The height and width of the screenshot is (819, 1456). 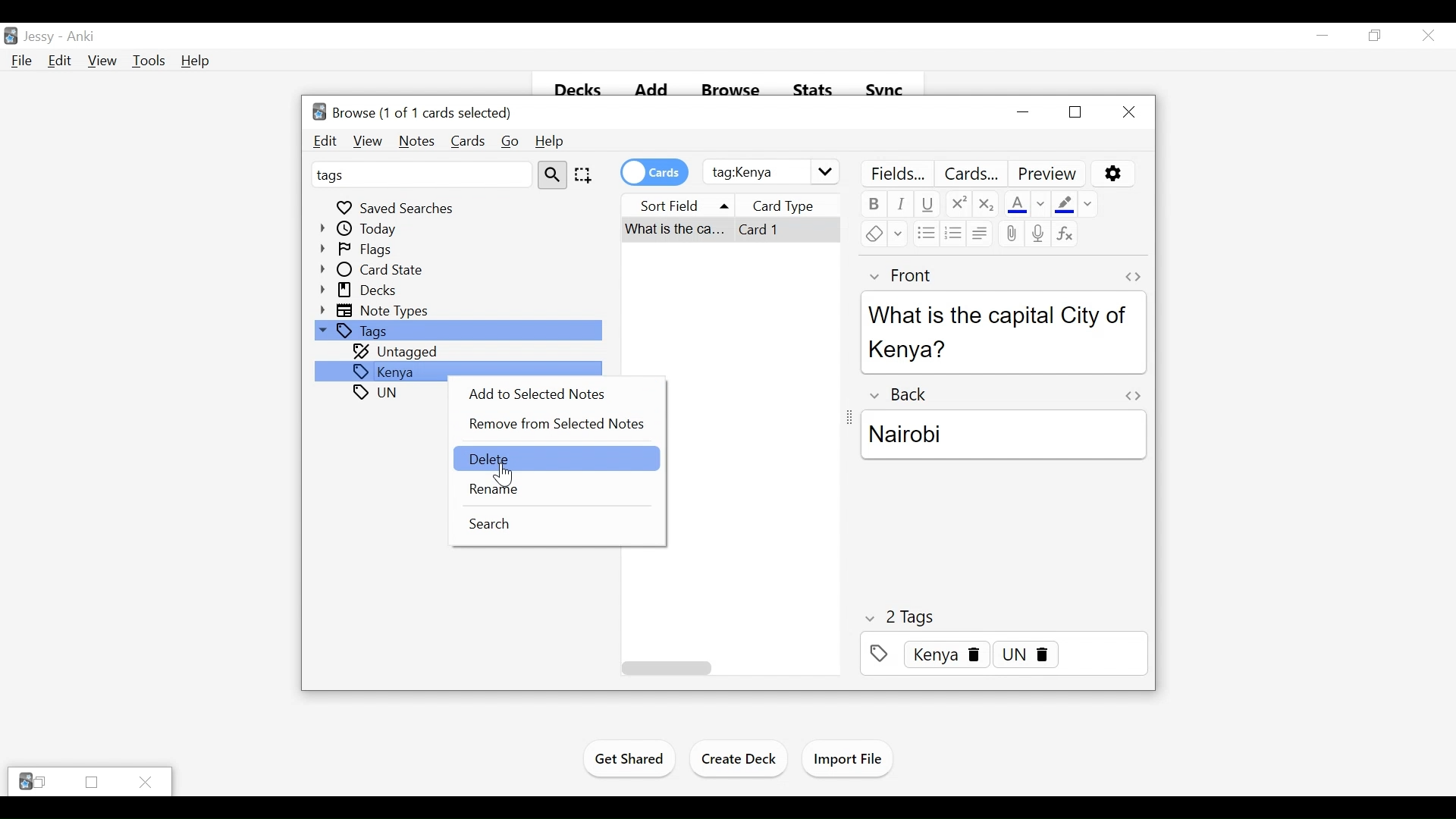 I want to click on Search, so click(x=493, y=524).